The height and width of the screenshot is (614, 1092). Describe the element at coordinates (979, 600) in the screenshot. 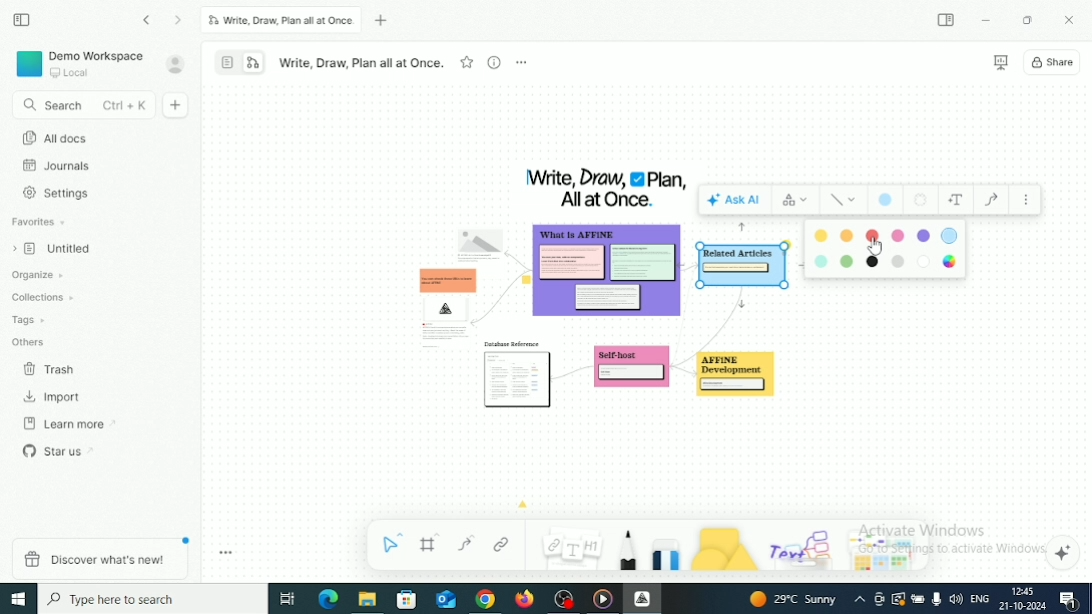

I see `Language` at that location.